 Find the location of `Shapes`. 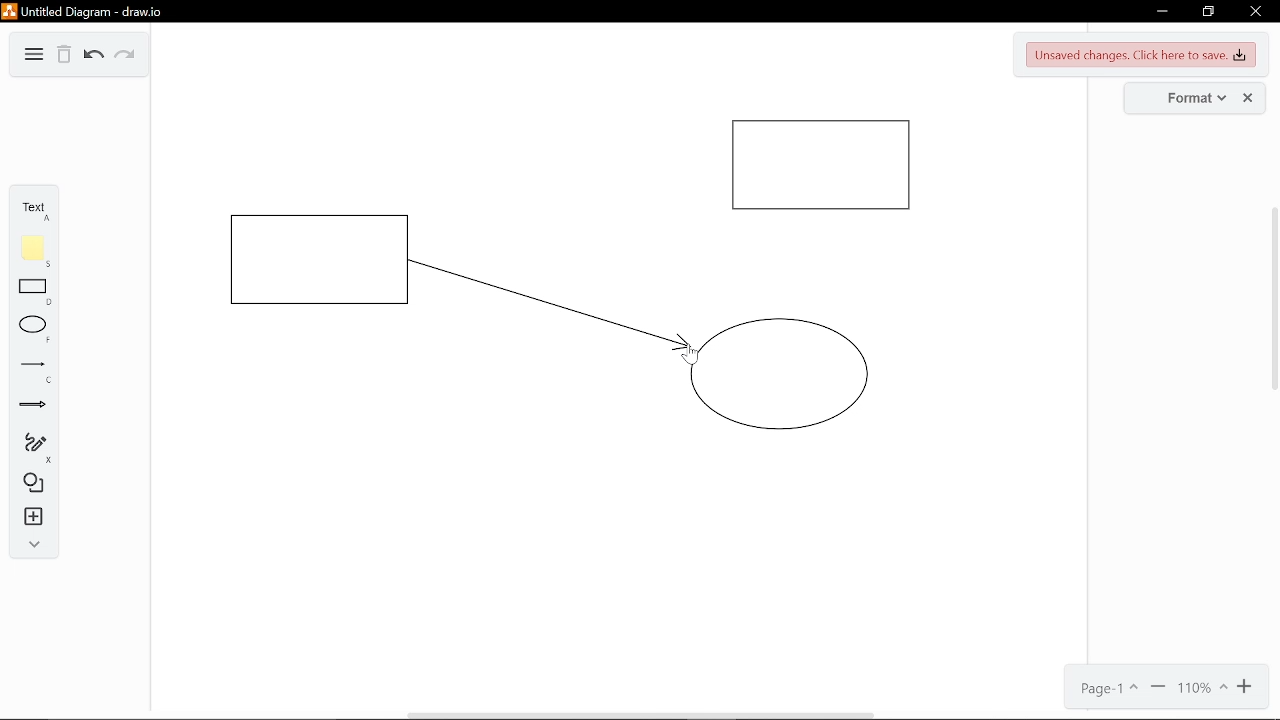

Shapes is located at coordinates (30, 484).